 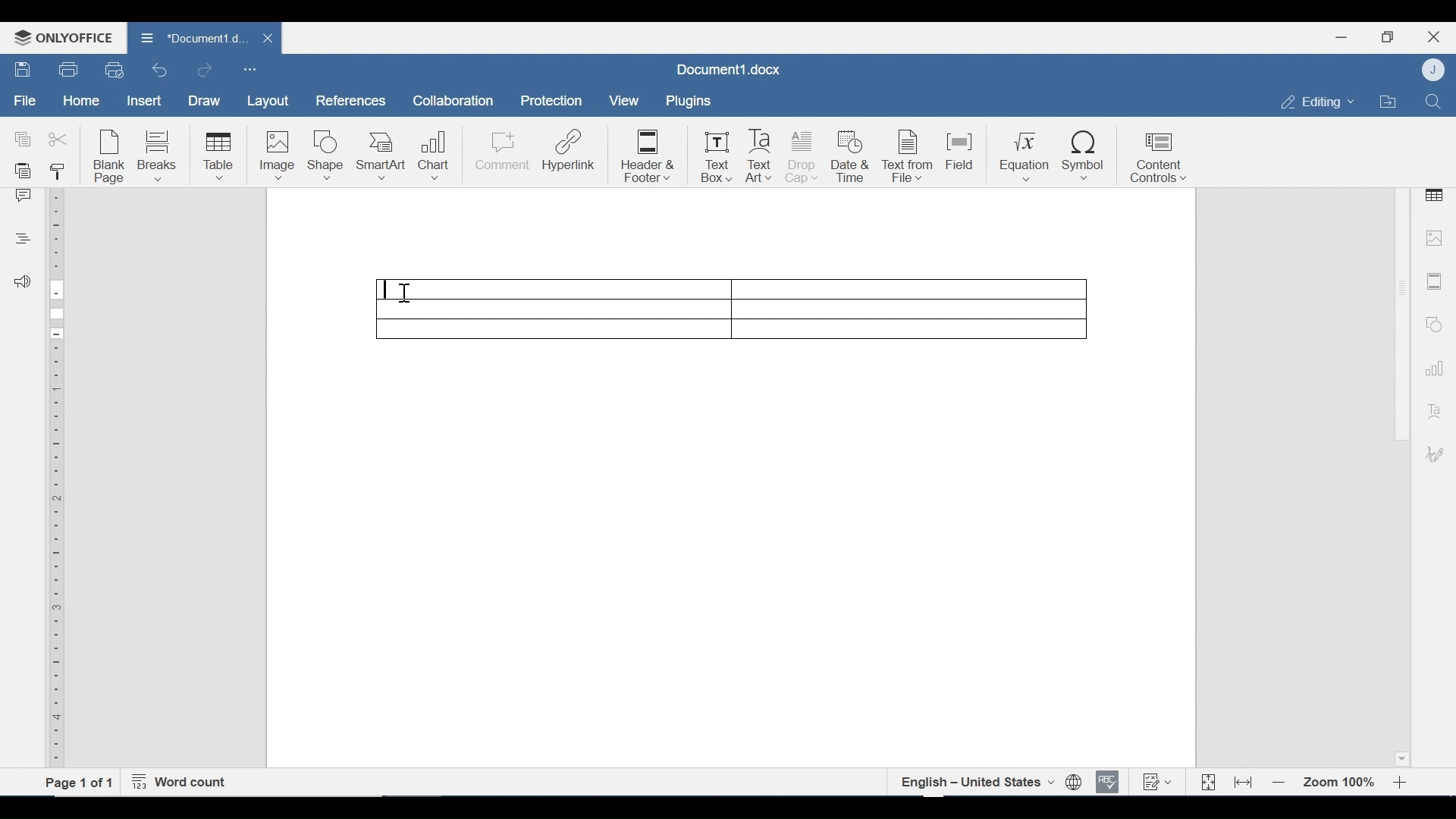 I want to click on Text Box, so click(x=717, y=158).